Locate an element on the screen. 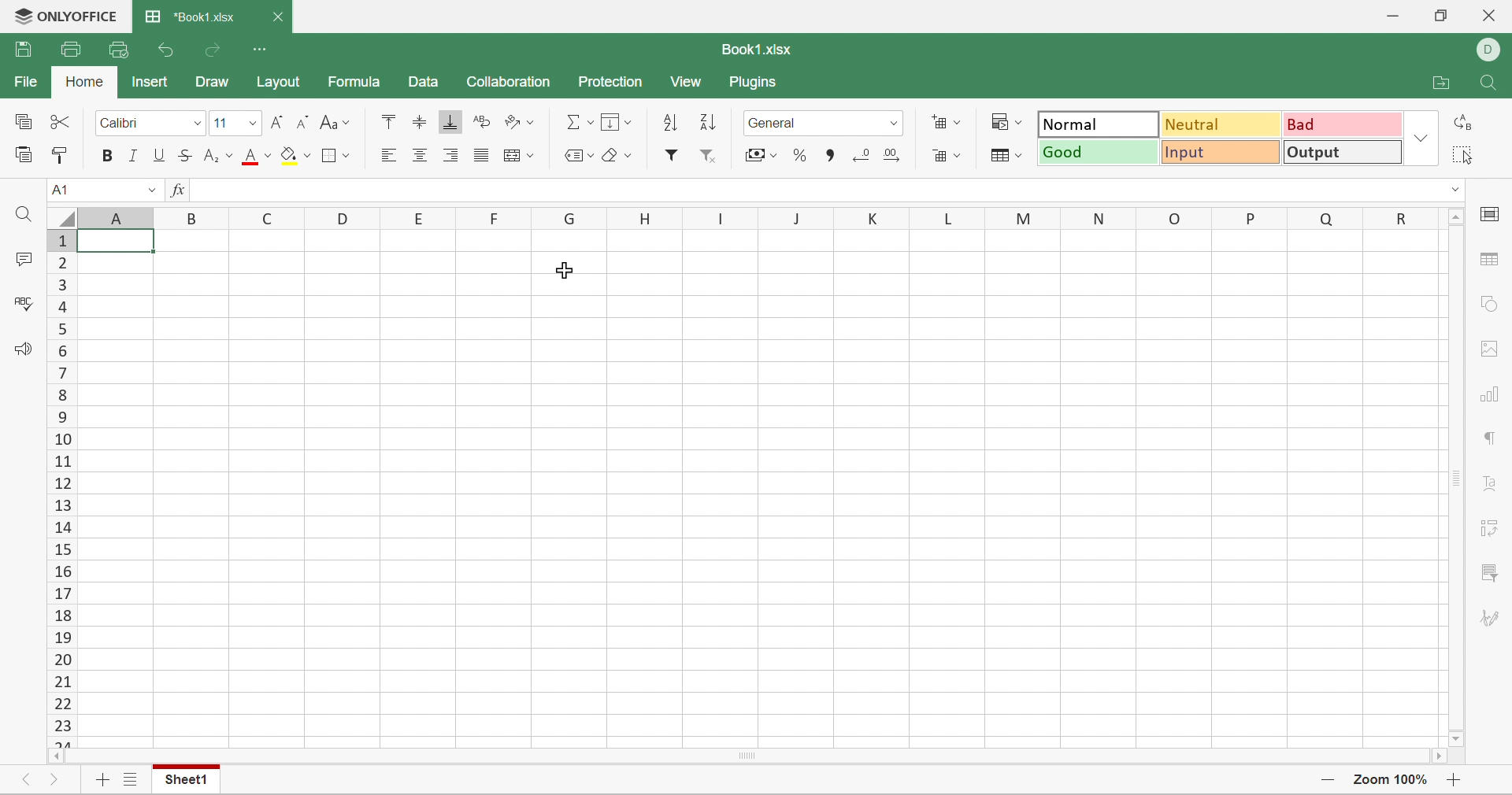 This screenshot has height=795, width=1512. D is located at coordinates (345, 218).